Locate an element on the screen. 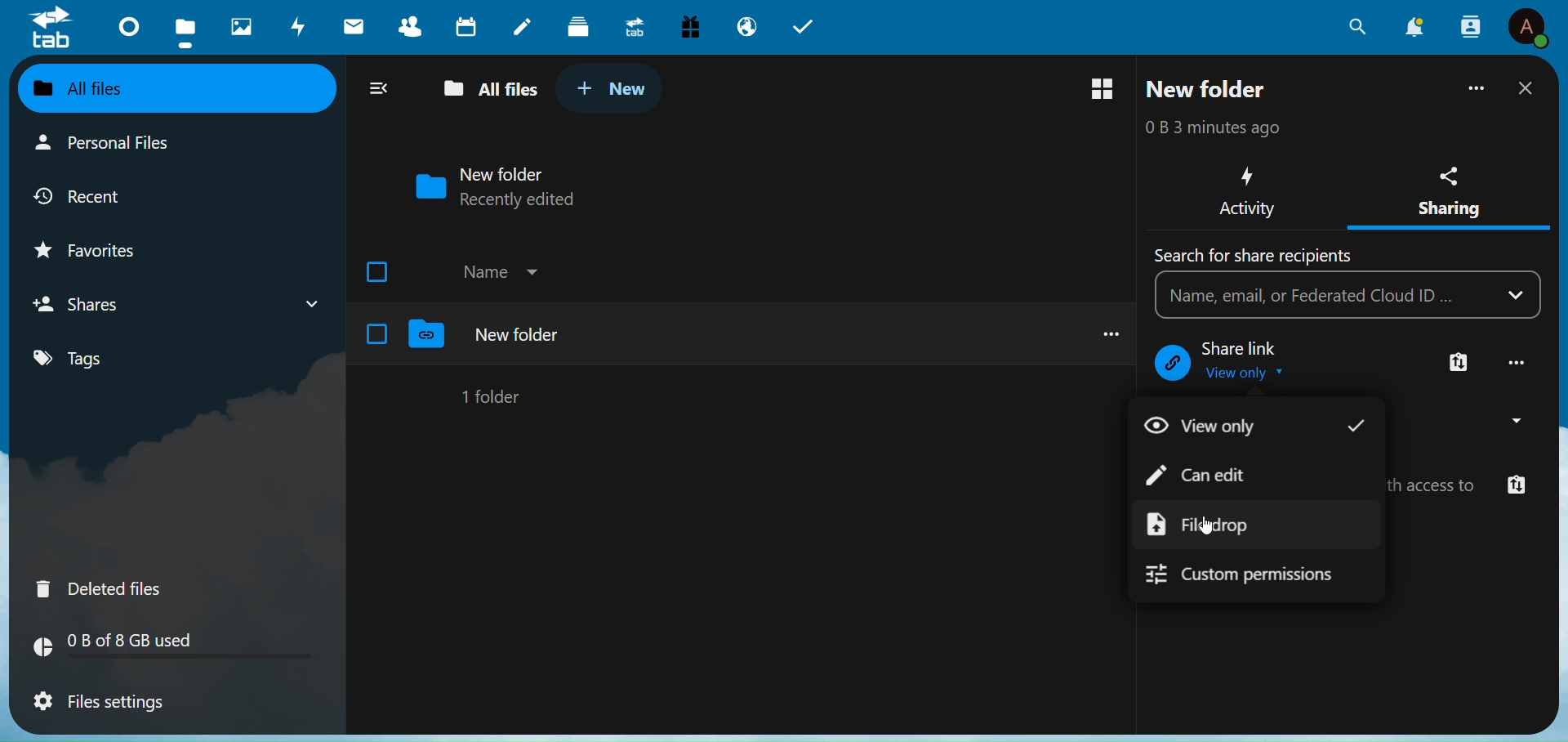 Image resolution: width=1568 pixels, height=742 pixels. Favorites is located at coordinates (103, 247).